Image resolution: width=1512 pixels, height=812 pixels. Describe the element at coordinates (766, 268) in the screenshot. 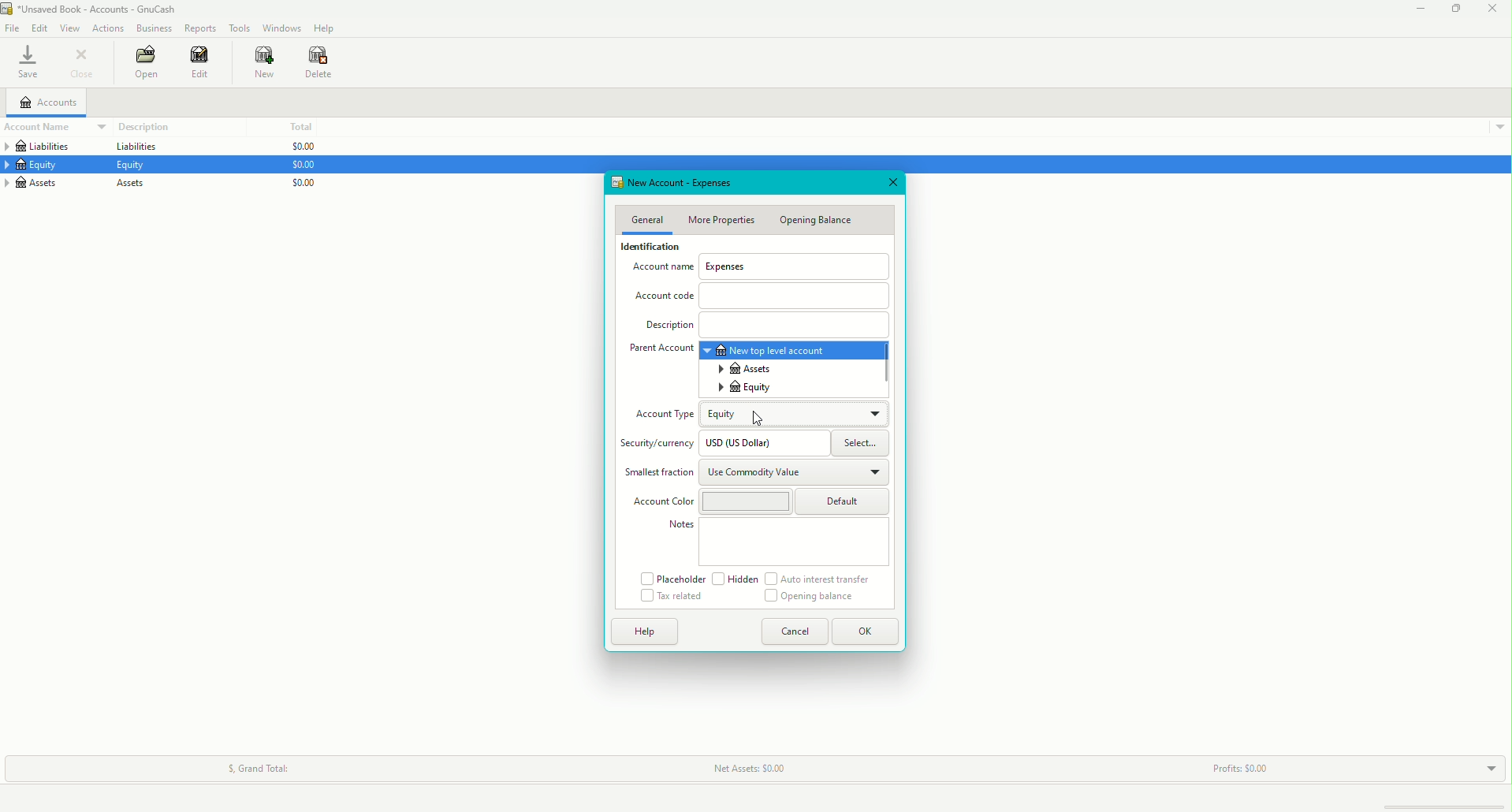

I see `Account Name` at that location.